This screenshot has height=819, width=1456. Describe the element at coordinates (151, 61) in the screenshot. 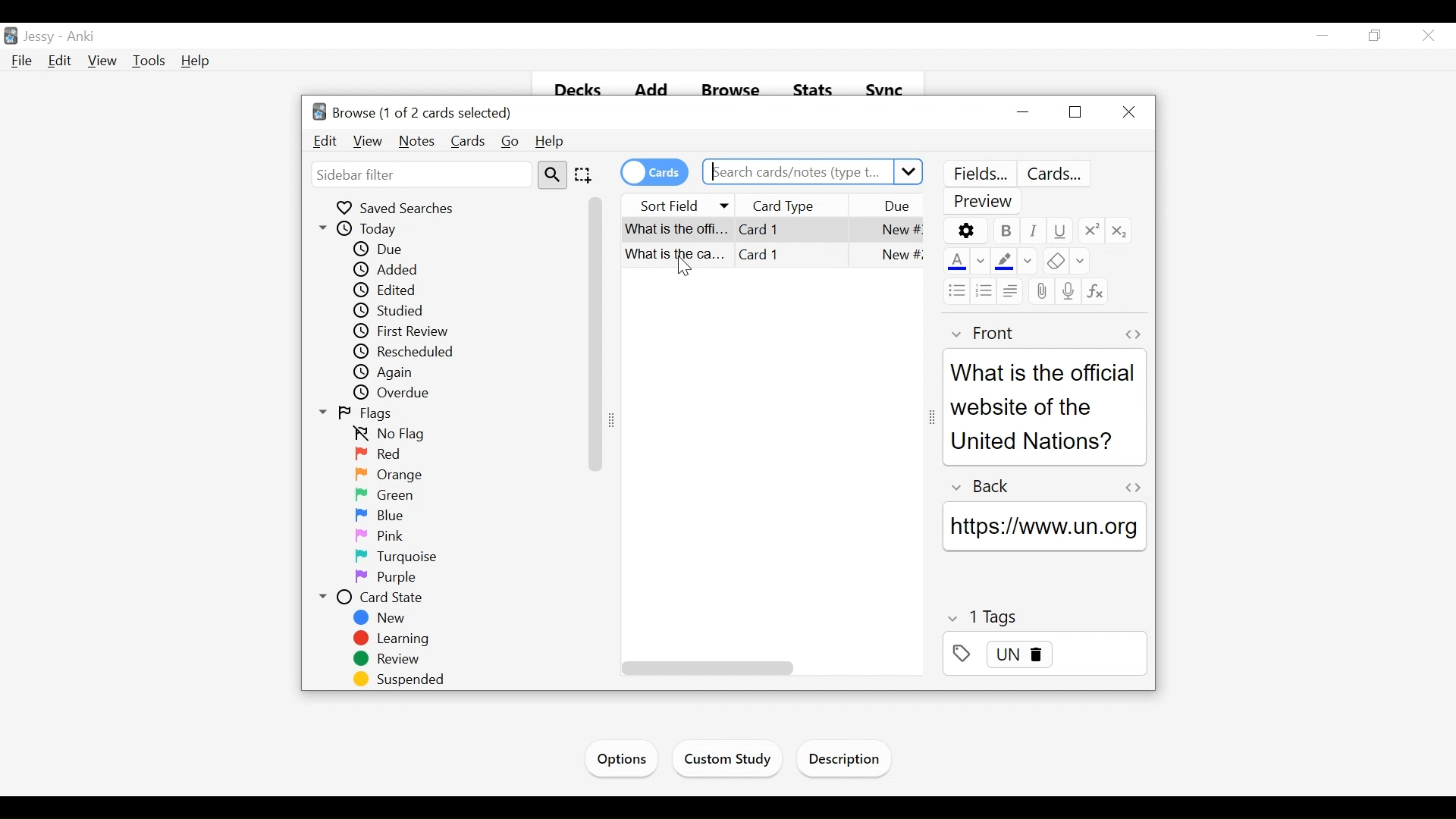

I see `Tools` at that location.